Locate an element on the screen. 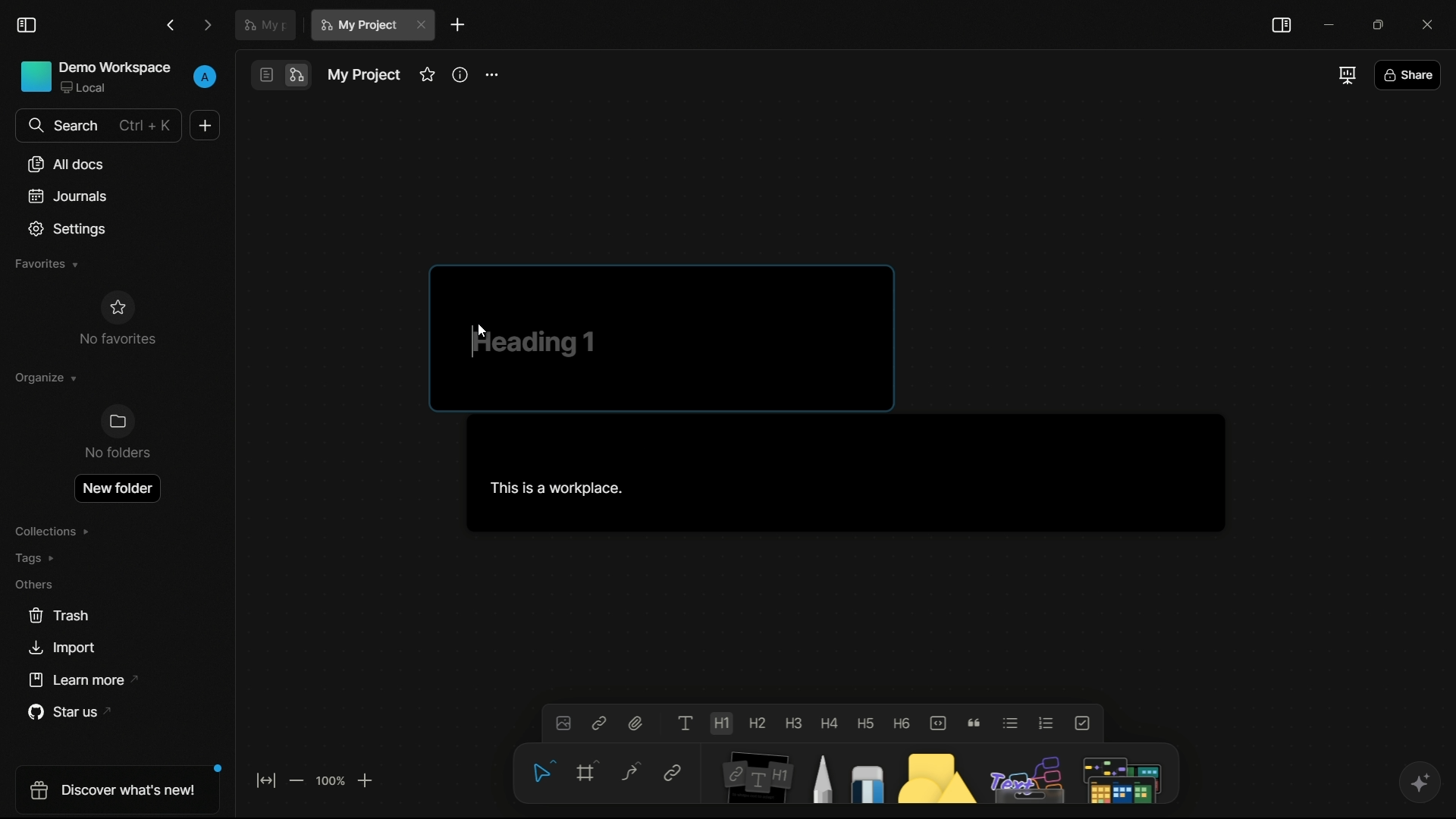  insert image is located at coordinates (565, 723).